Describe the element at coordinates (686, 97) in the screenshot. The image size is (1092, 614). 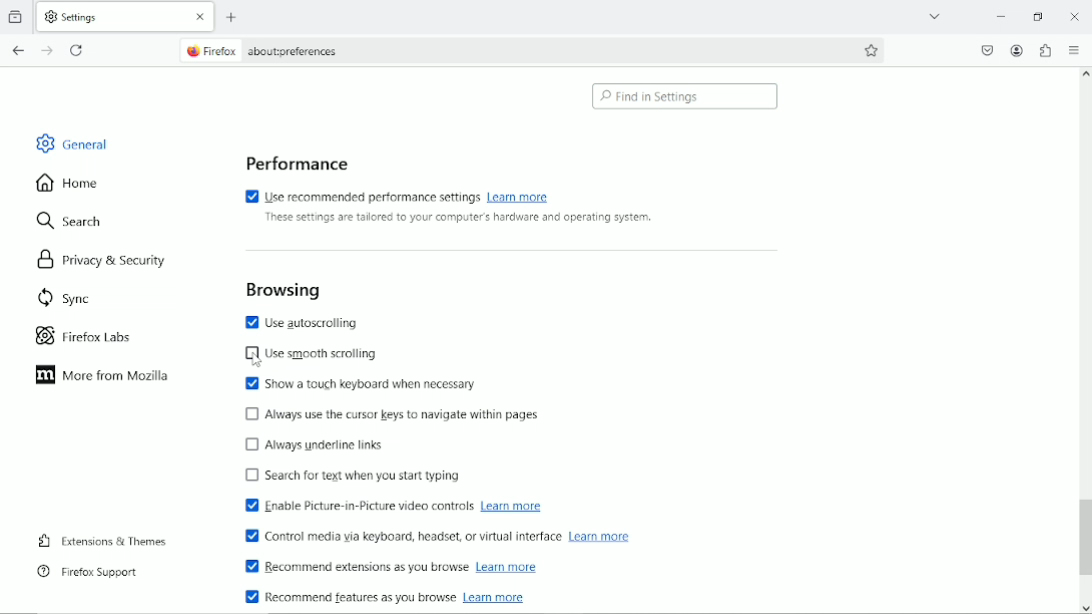
I see `Find in settings` at that location.